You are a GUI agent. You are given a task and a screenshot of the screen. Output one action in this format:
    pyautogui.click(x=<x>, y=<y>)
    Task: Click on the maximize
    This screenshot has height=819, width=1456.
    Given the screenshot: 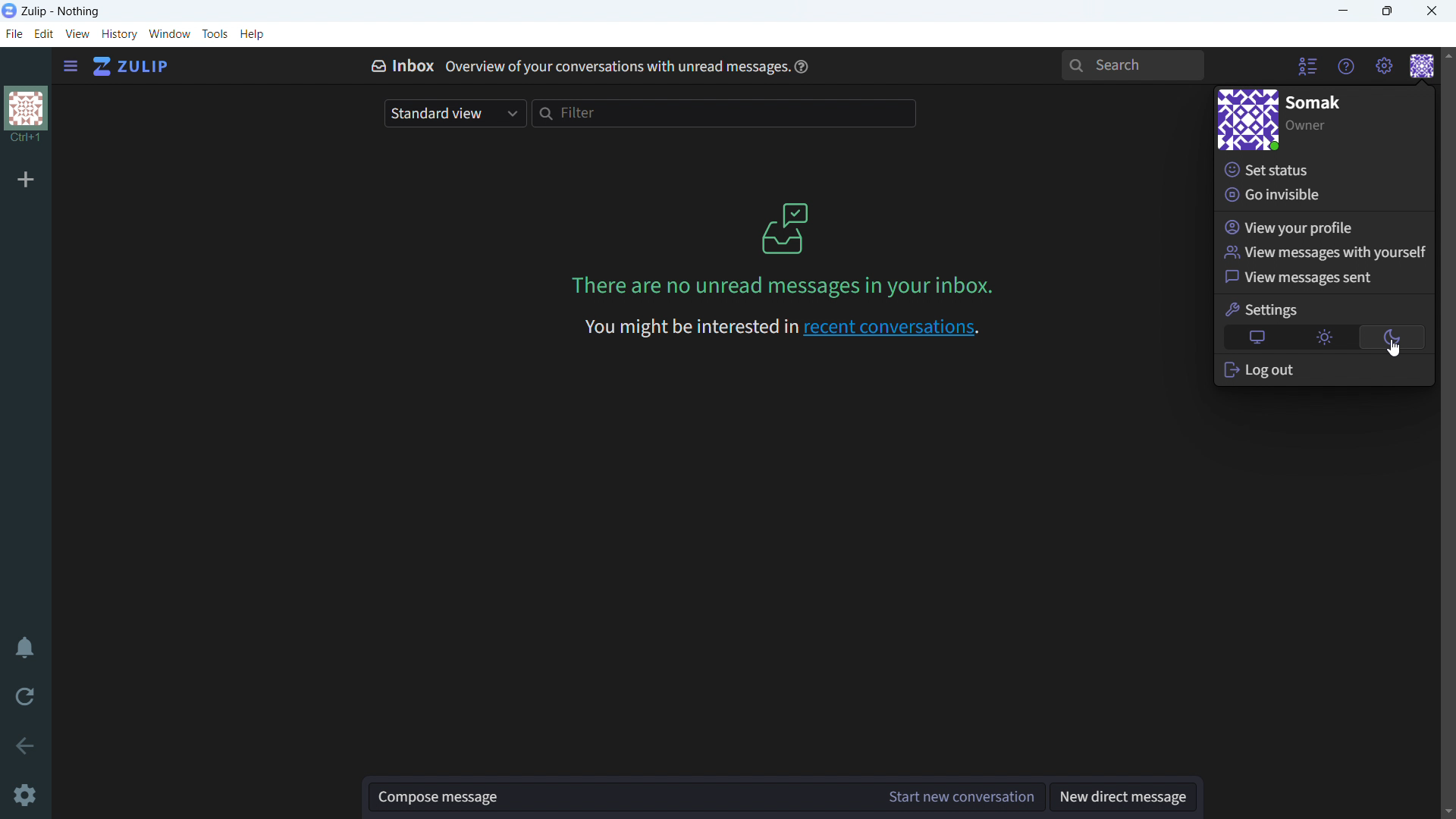 What is the action you would take?
    pyautogui.click(x=1390, y=11)
    